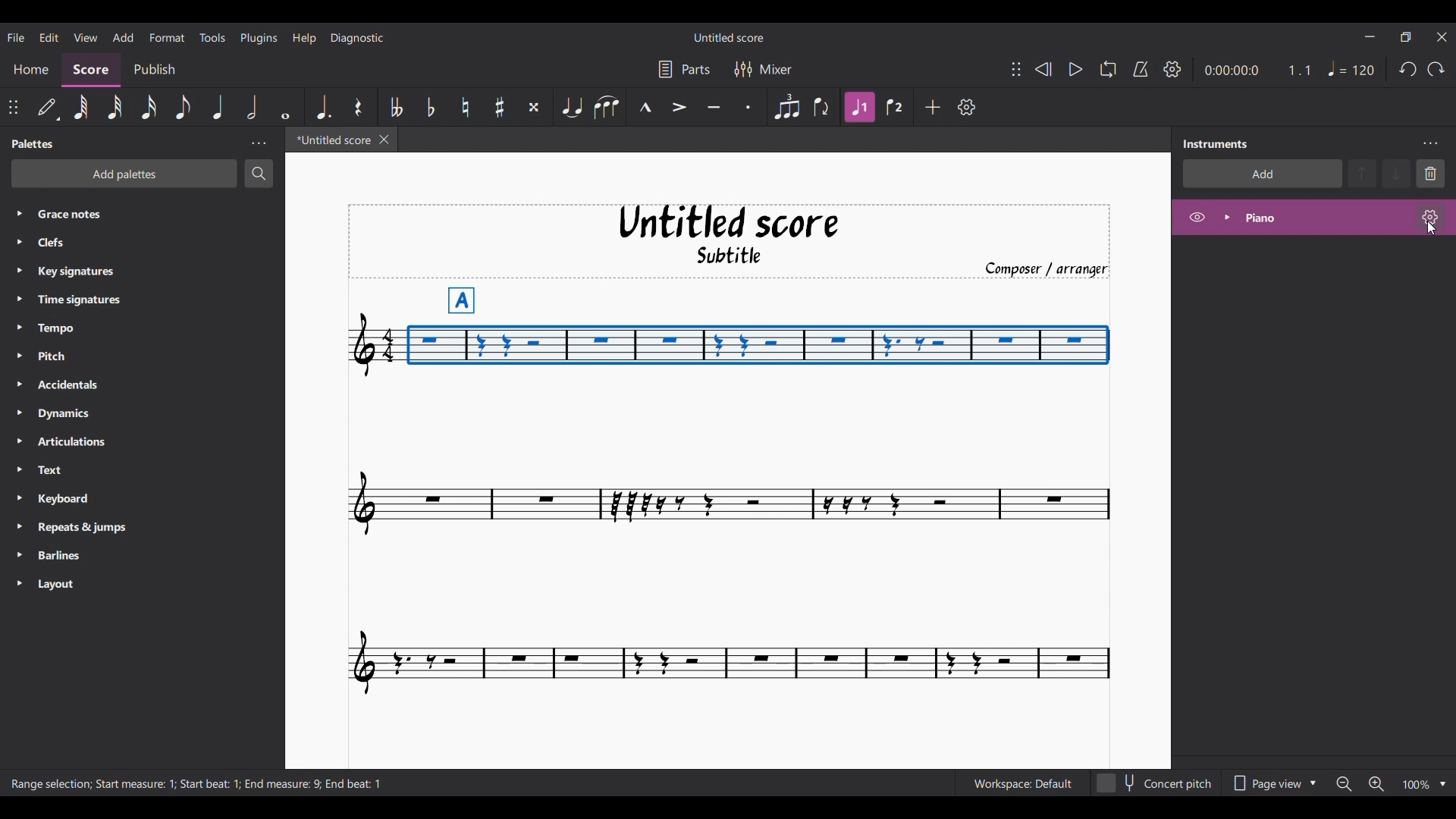  Describe the element at coordinates (156, 67) in the screenshot. I see `Publish section` at that location.